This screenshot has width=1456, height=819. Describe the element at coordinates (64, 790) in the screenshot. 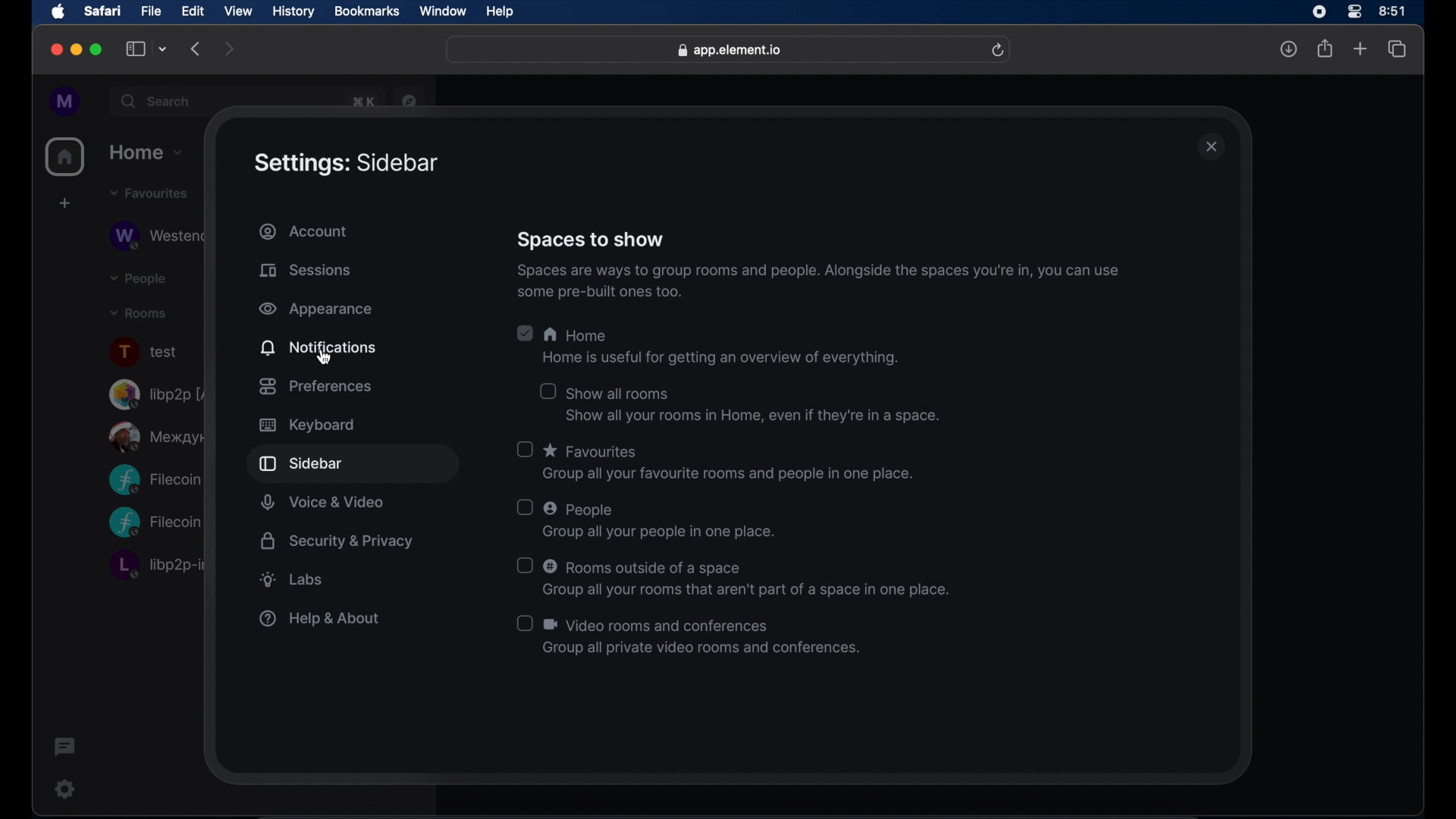

I see `settings` at that location.